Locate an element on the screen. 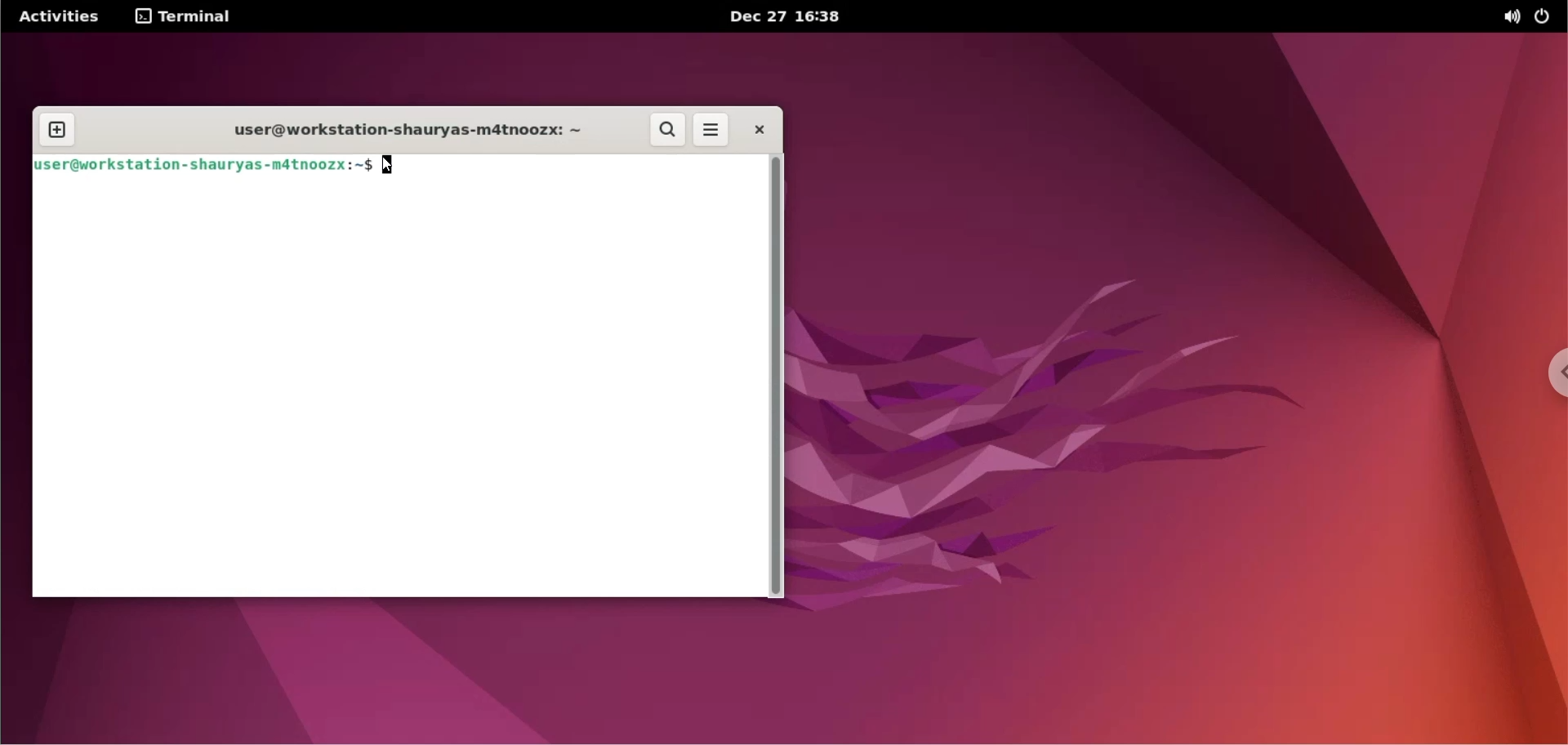 This screenshot has height=745, width=1568. Activities is located at coordinates (65, 16).